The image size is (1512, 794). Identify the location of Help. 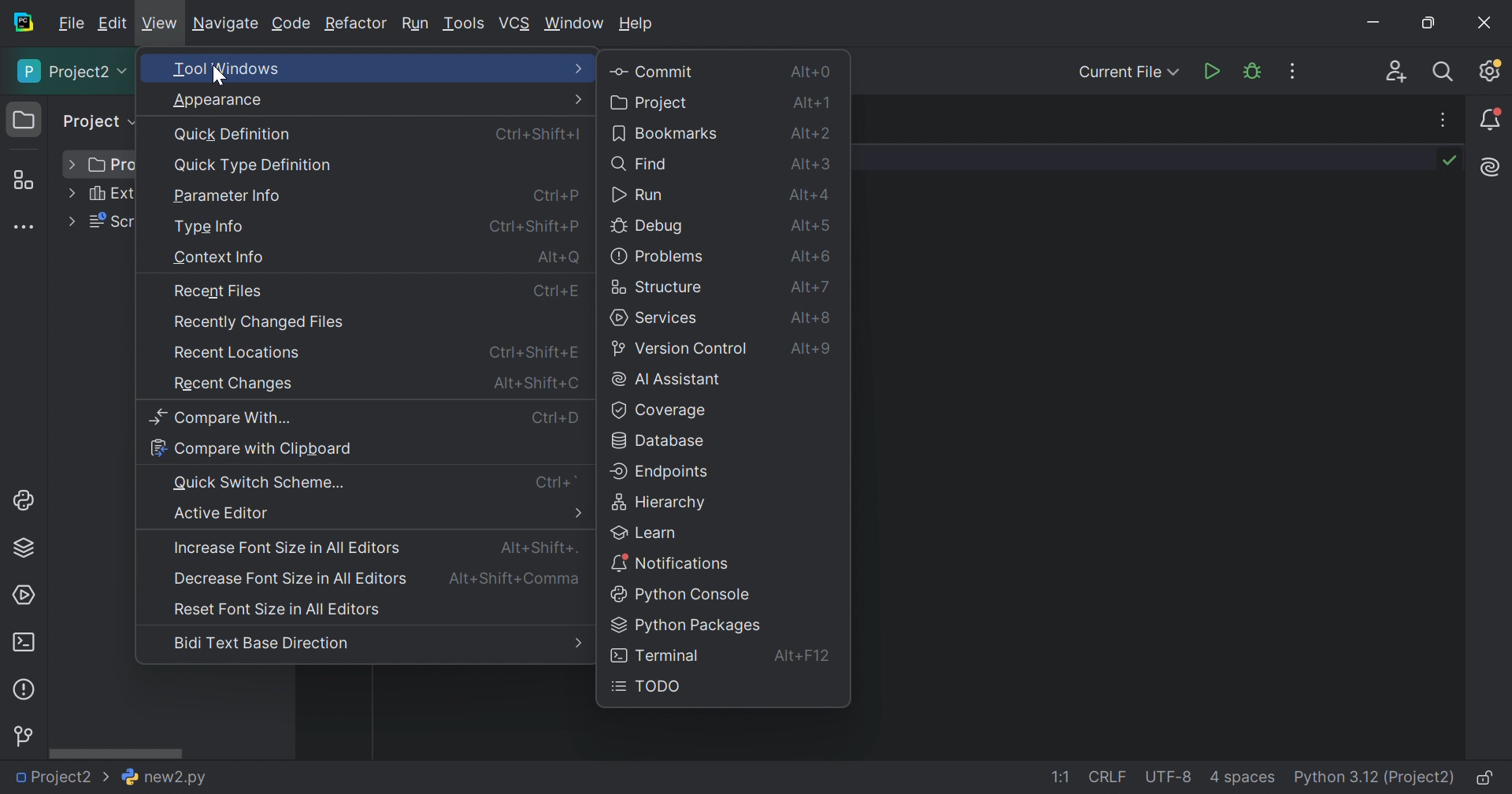
(637, 24).